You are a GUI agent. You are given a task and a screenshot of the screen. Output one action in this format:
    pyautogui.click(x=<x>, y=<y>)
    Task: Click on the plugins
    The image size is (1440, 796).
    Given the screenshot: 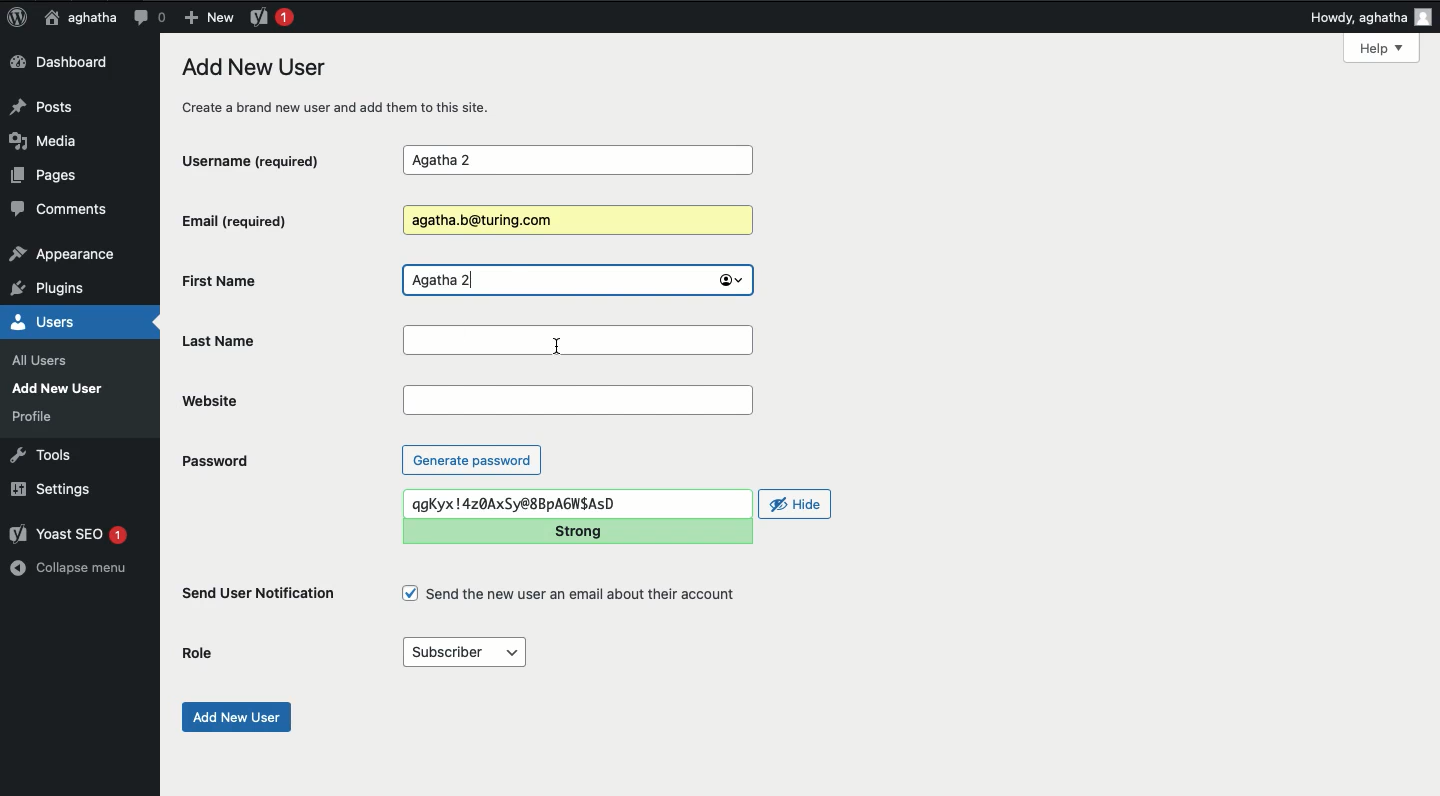 What is the action you would take?
    pyautogui.click(x=58, y=289)
    